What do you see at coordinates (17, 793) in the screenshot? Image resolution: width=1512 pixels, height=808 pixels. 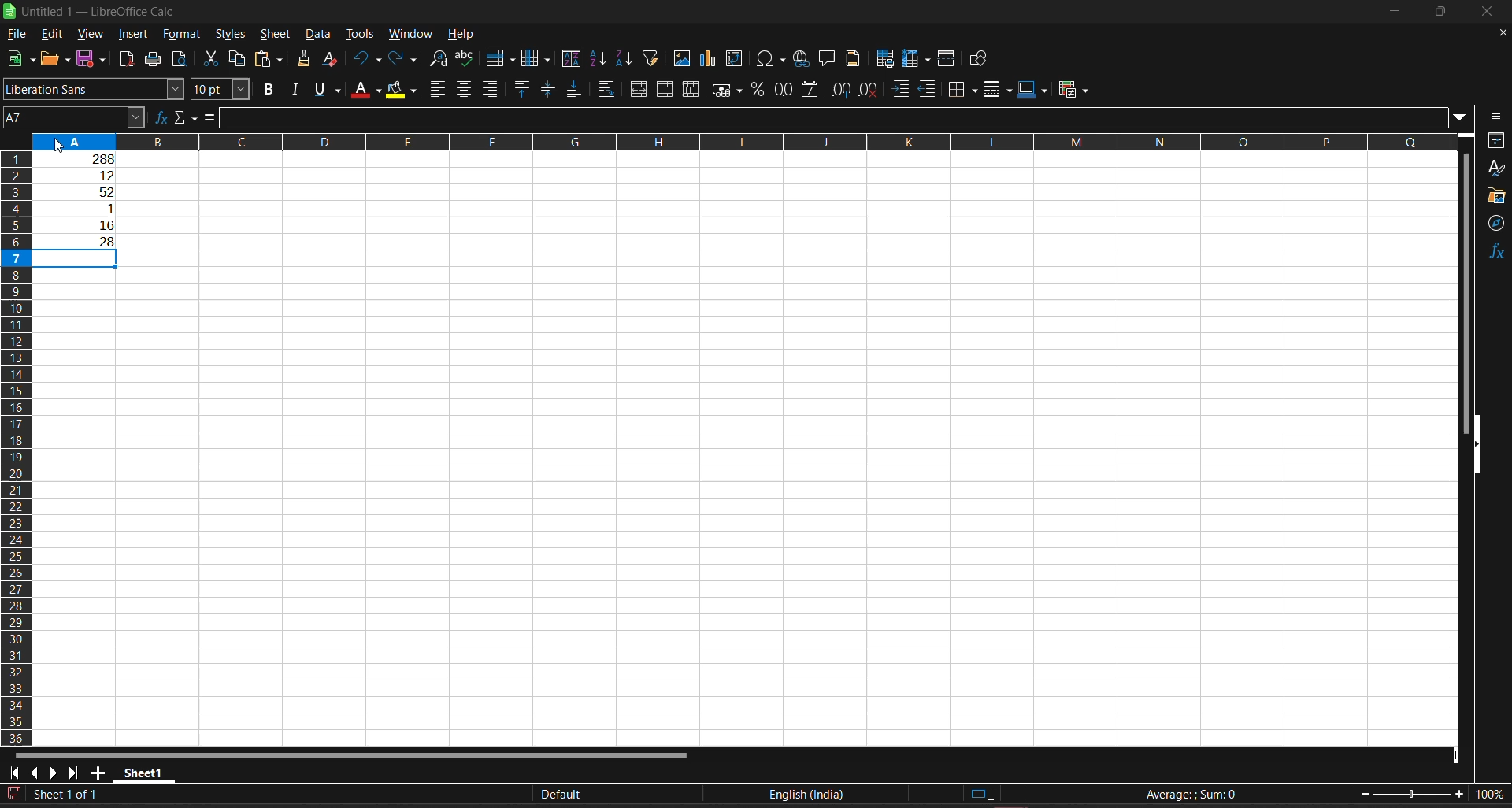 I see `click to save` at bounding box center [17, 793].